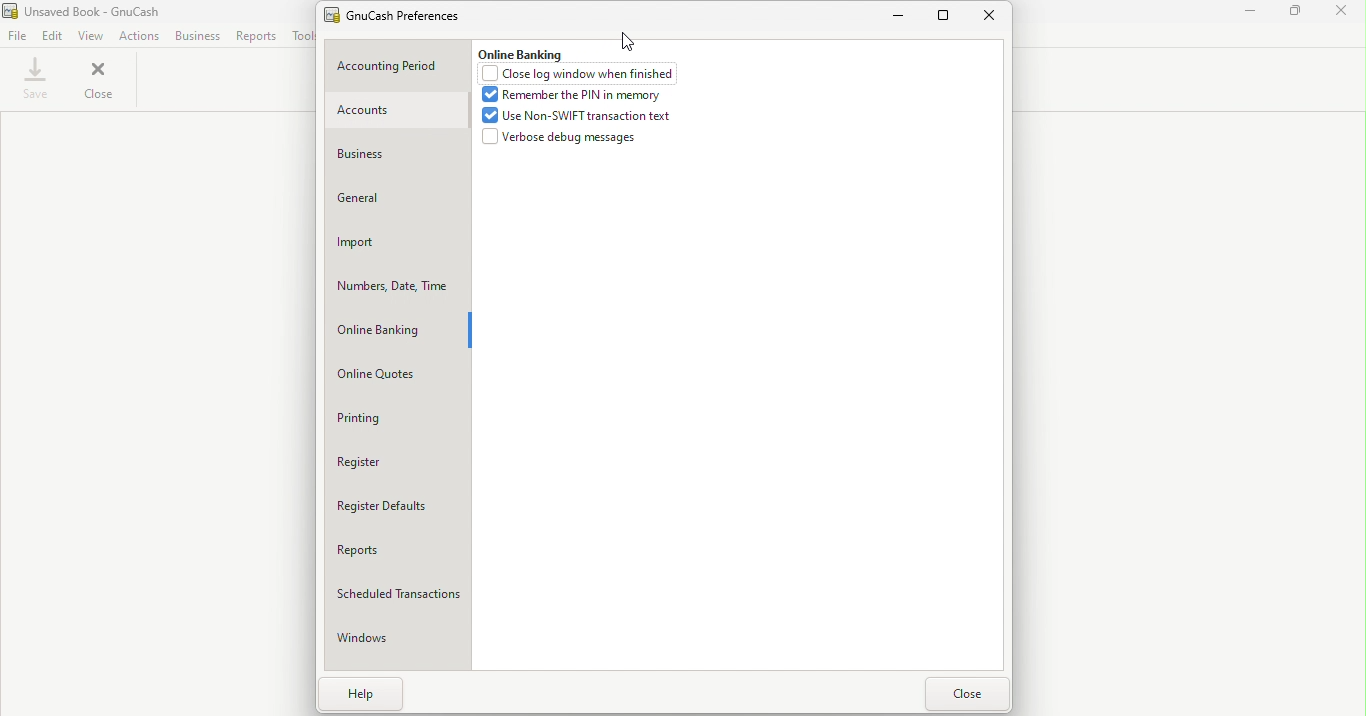  I want to click on Minimize, so click(1252, 13).